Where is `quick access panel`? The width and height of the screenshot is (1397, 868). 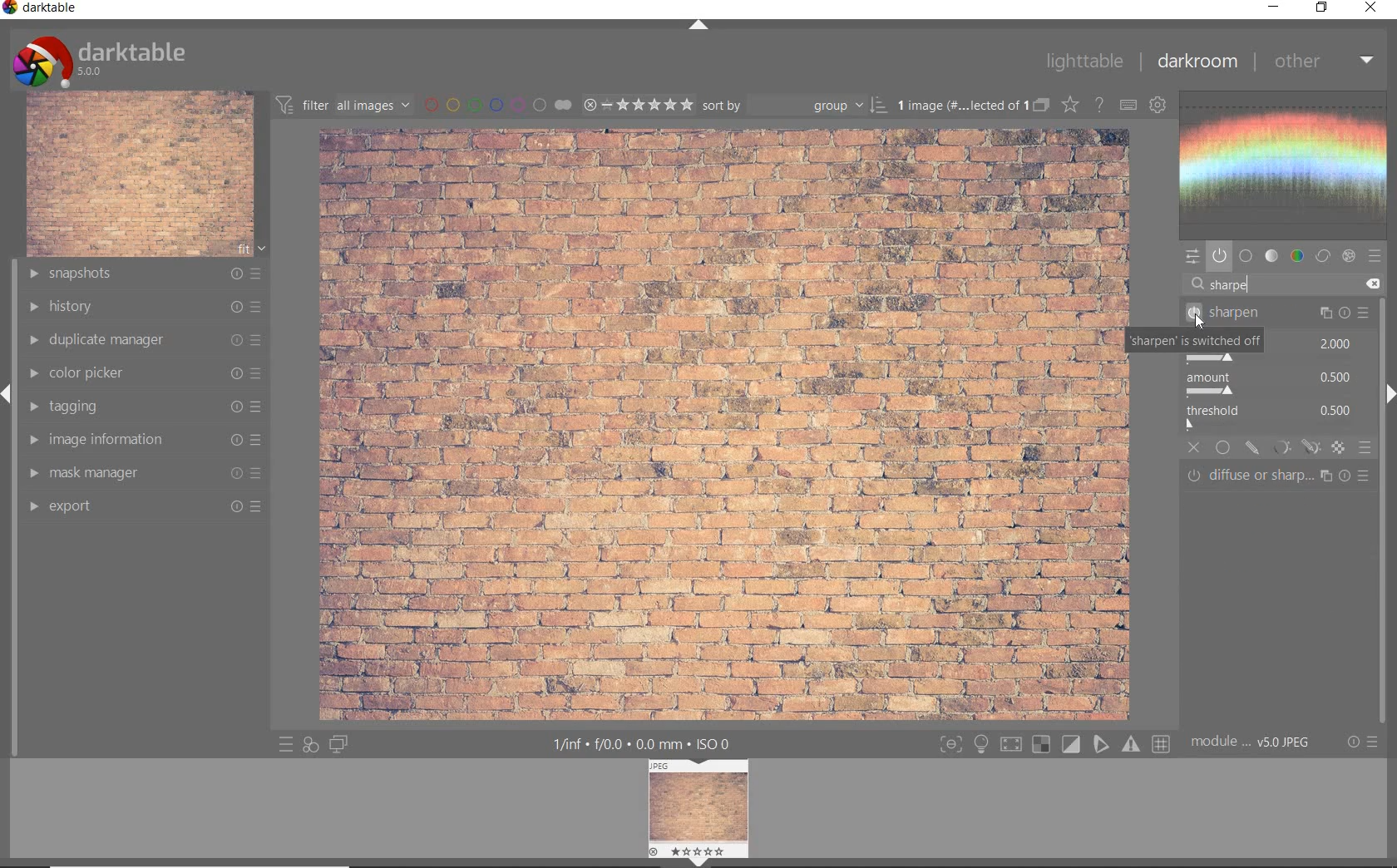 quick access panel is located at coordinates (1193, 258).